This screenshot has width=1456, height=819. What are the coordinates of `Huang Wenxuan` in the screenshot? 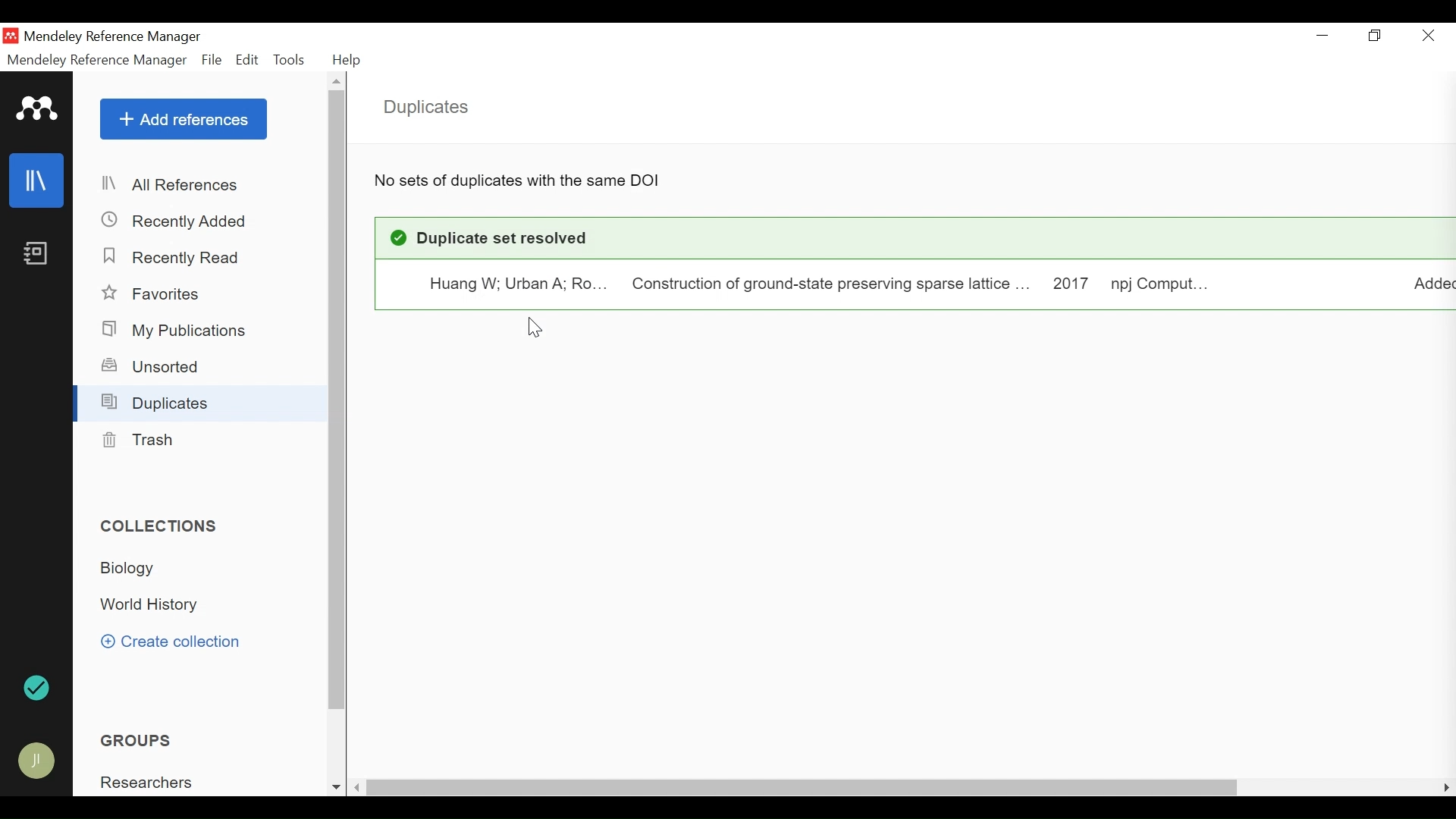 It's located at (516, 285).